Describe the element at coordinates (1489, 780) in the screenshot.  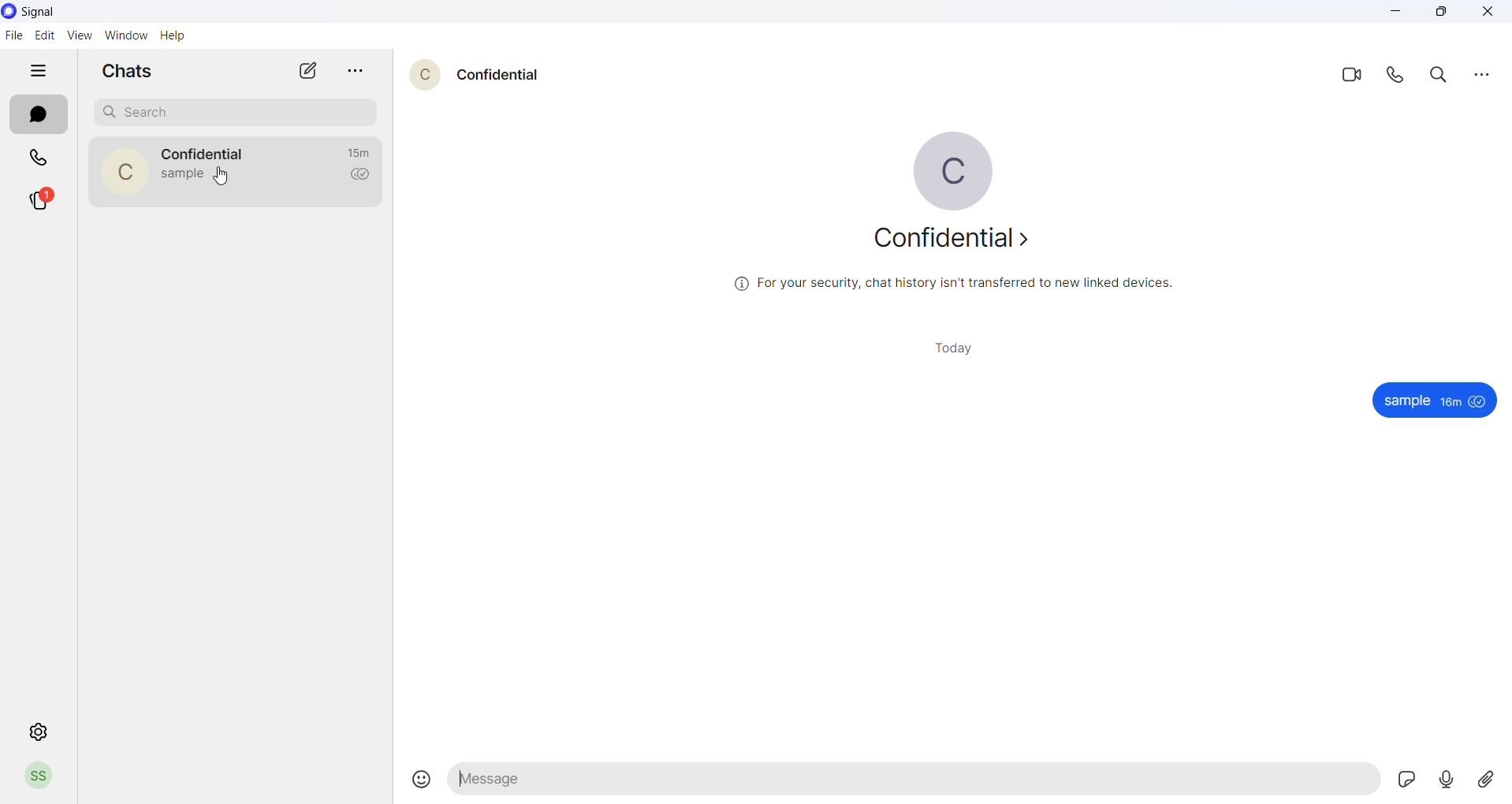
I see `send attachment` at that location.